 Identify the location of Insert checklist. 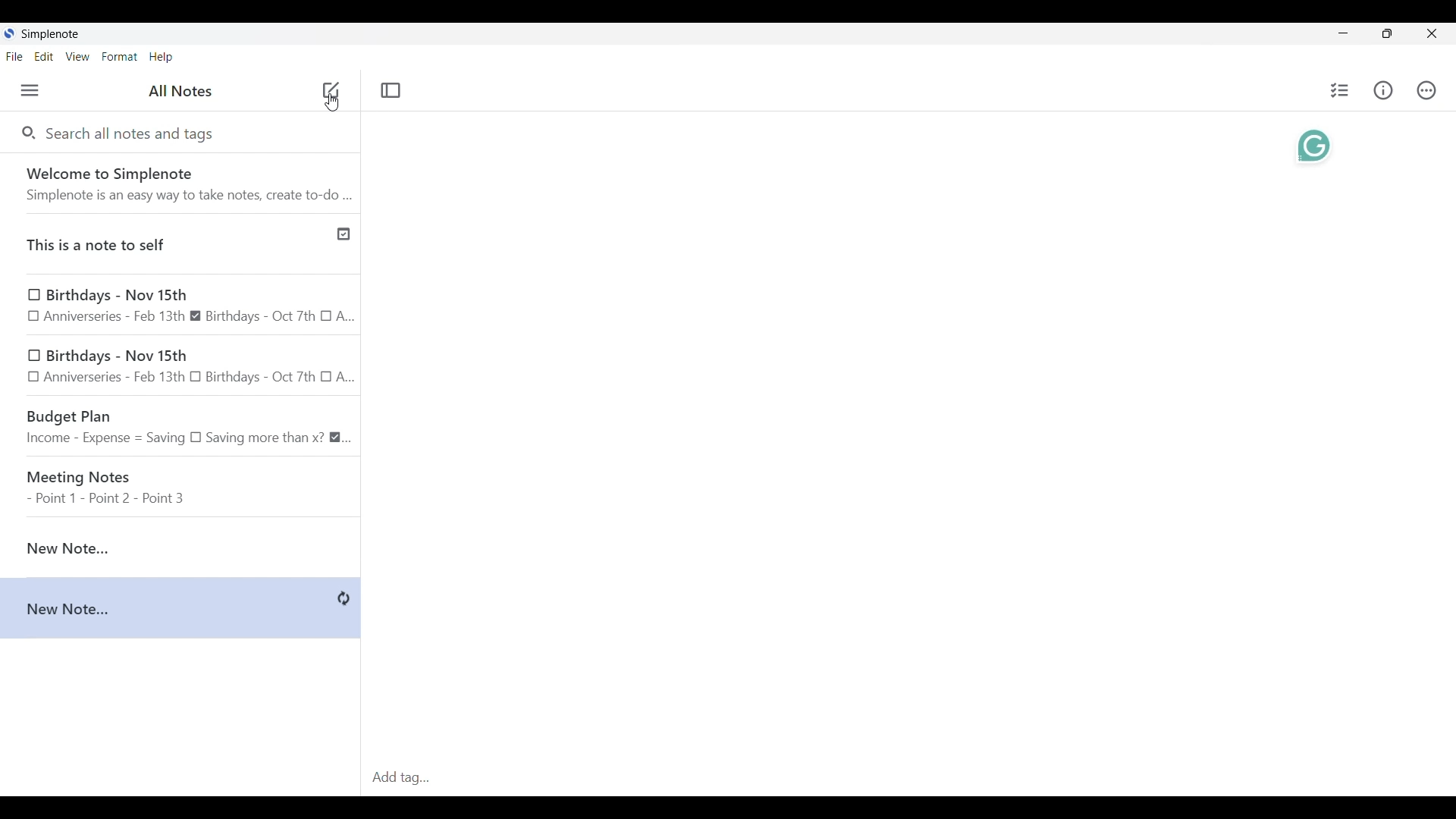
(1340, 90).